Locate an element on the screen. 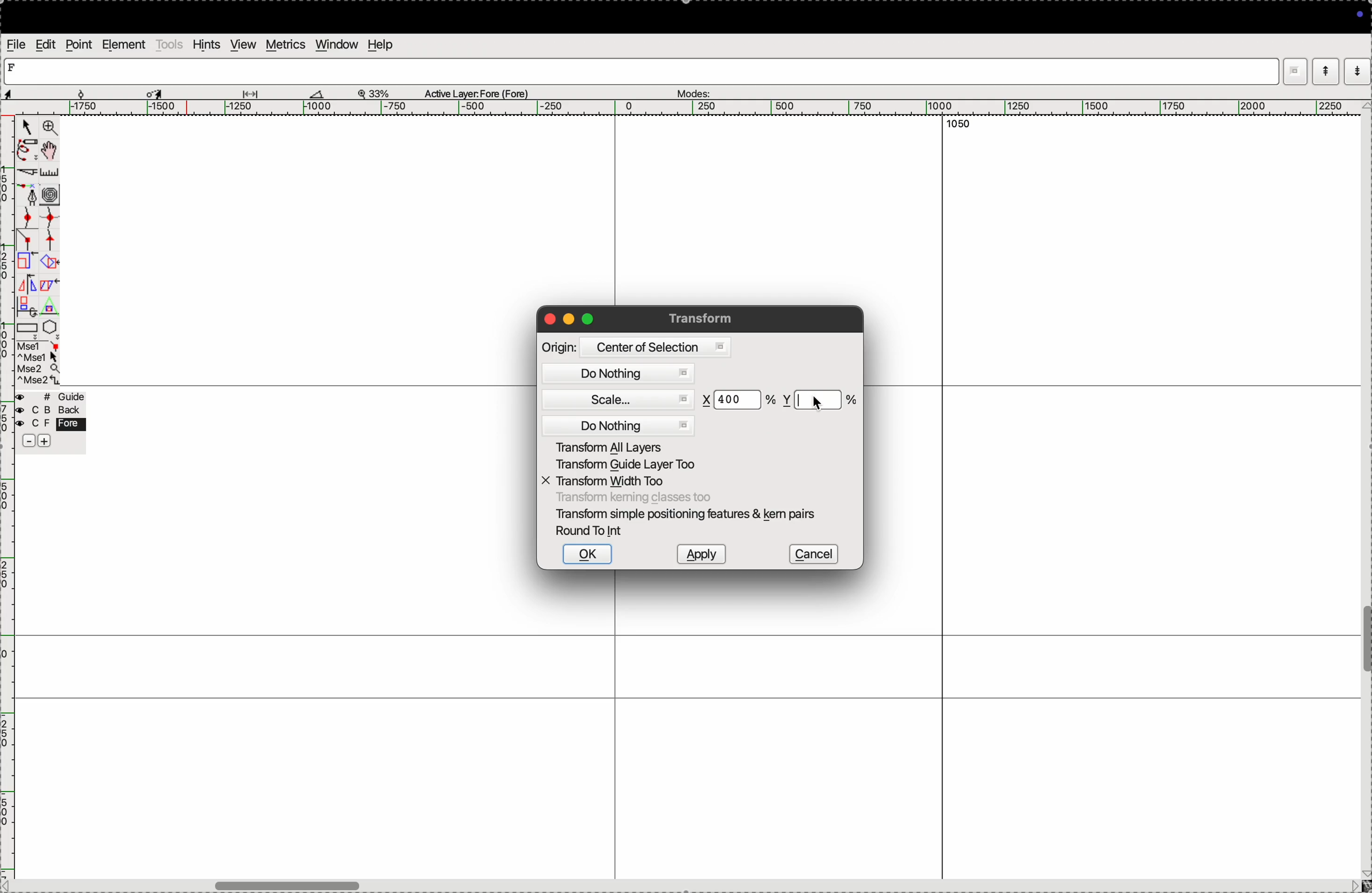  tools is located at coordinates (169, 44).